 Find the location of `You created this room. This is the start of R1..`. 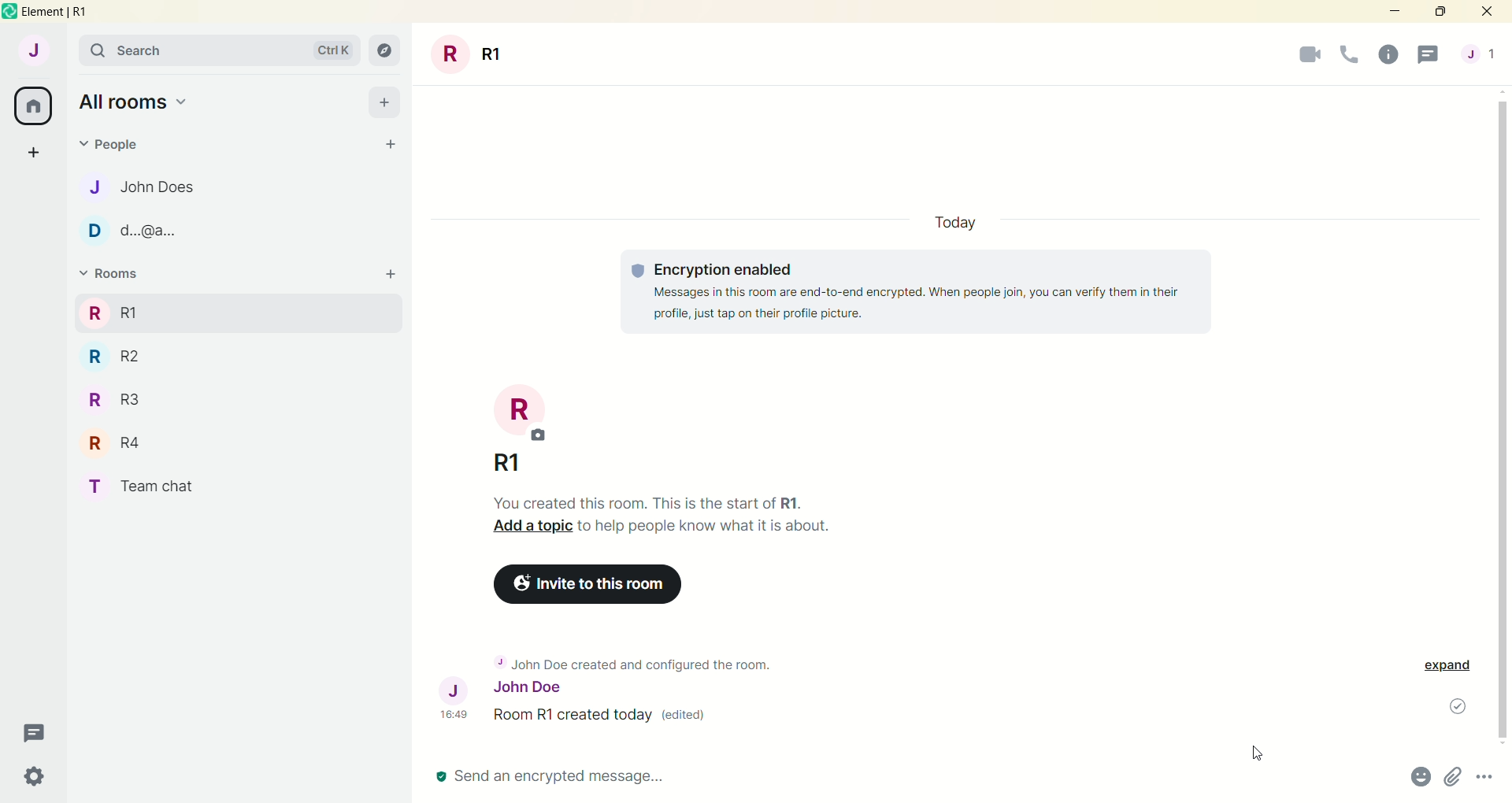

You created this room. This is the start of R1.. is located at coordinates (650, 502).